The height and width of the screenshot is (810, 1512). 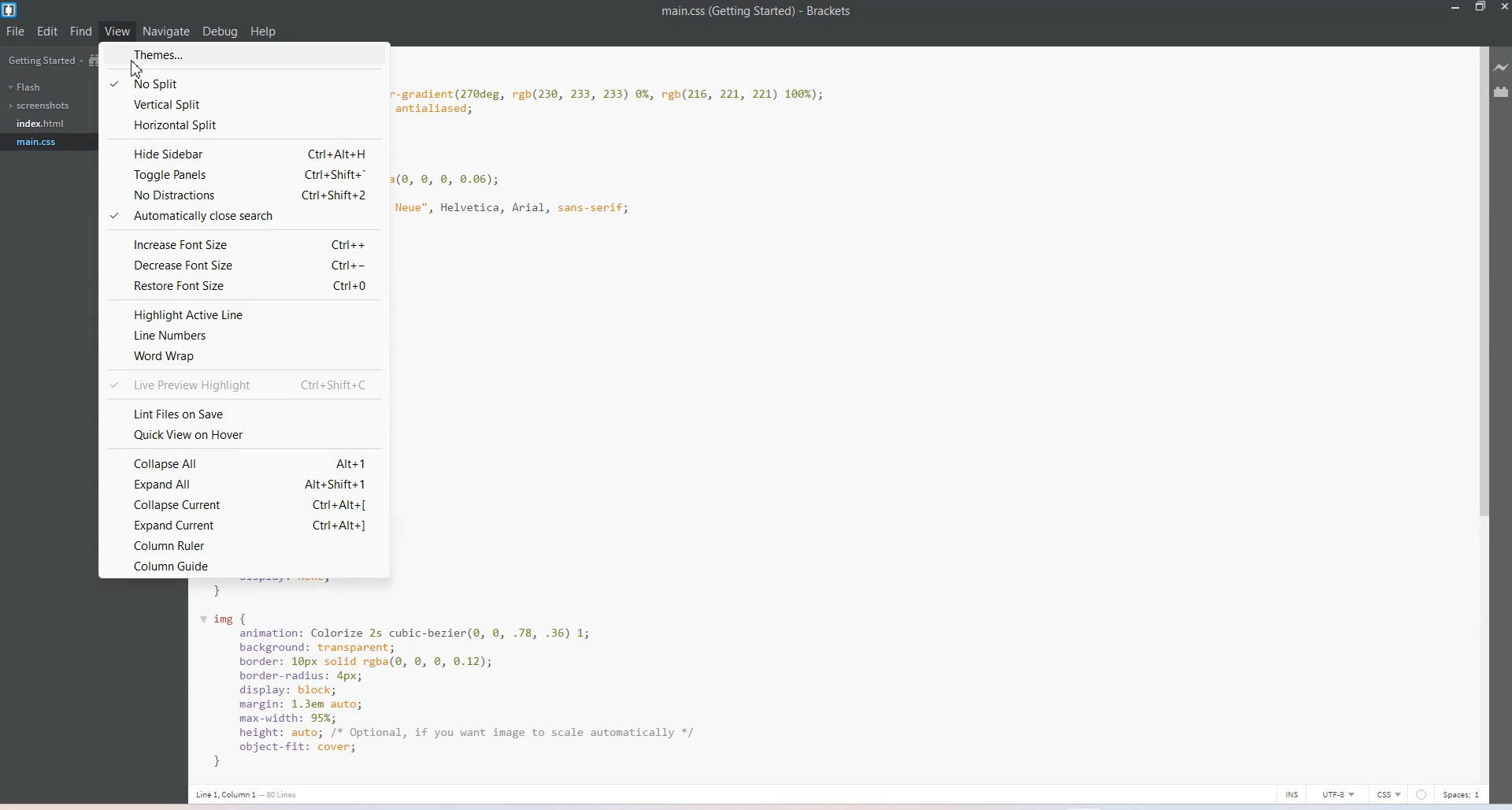 I want to click on Cursor on Themes, so click(x=137, y=70).